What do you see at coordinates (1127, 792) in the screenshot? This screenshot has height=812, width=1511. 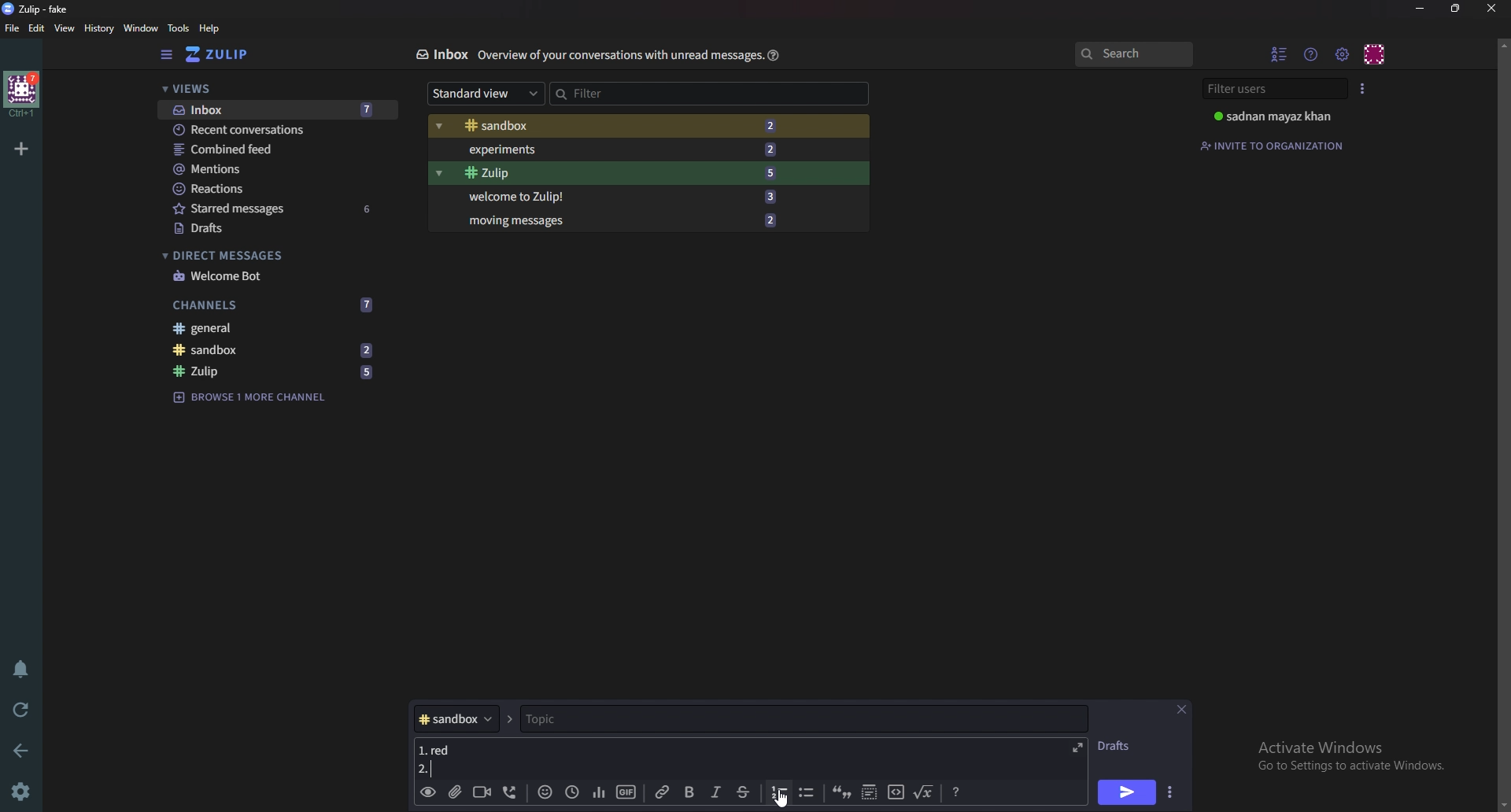 I see `Send` at bounding box center [1127, 792].